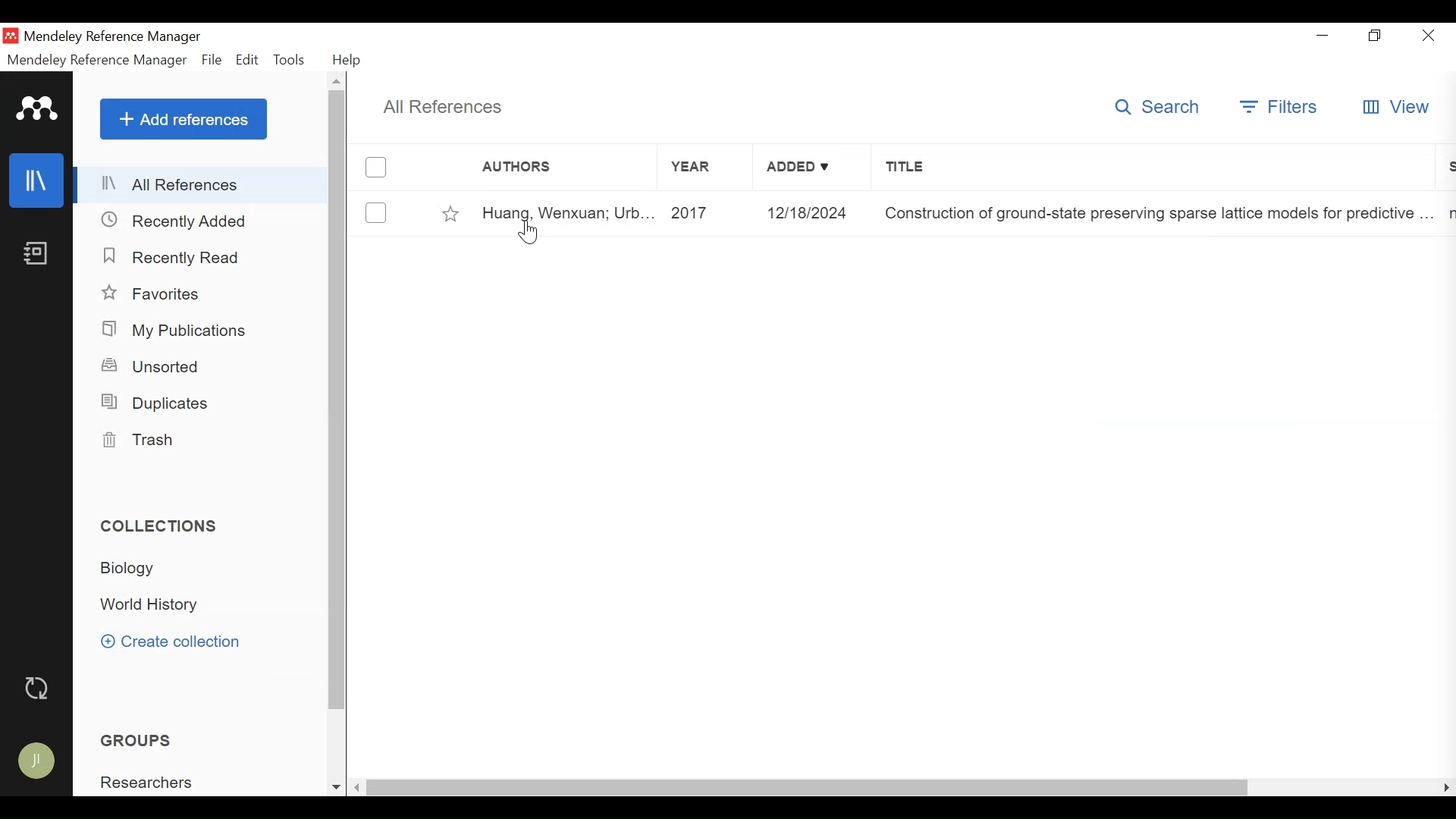  Describe the element at coordinates (12, 36) in the screenshot. I see `Mendeley Desktop Icon` at that location.